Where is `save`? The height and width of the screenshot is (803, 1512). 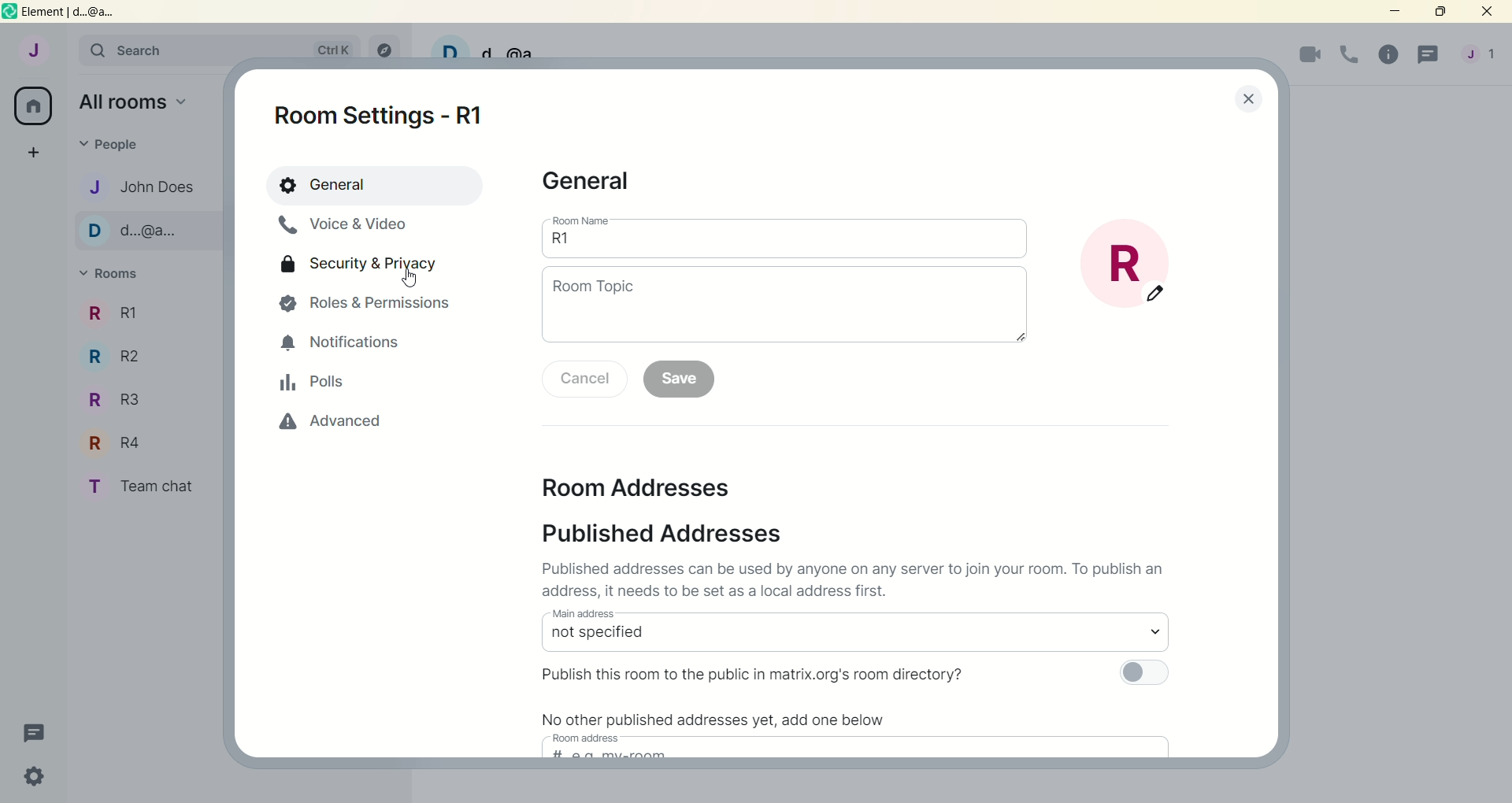
save is located at coordinates (682, 380).